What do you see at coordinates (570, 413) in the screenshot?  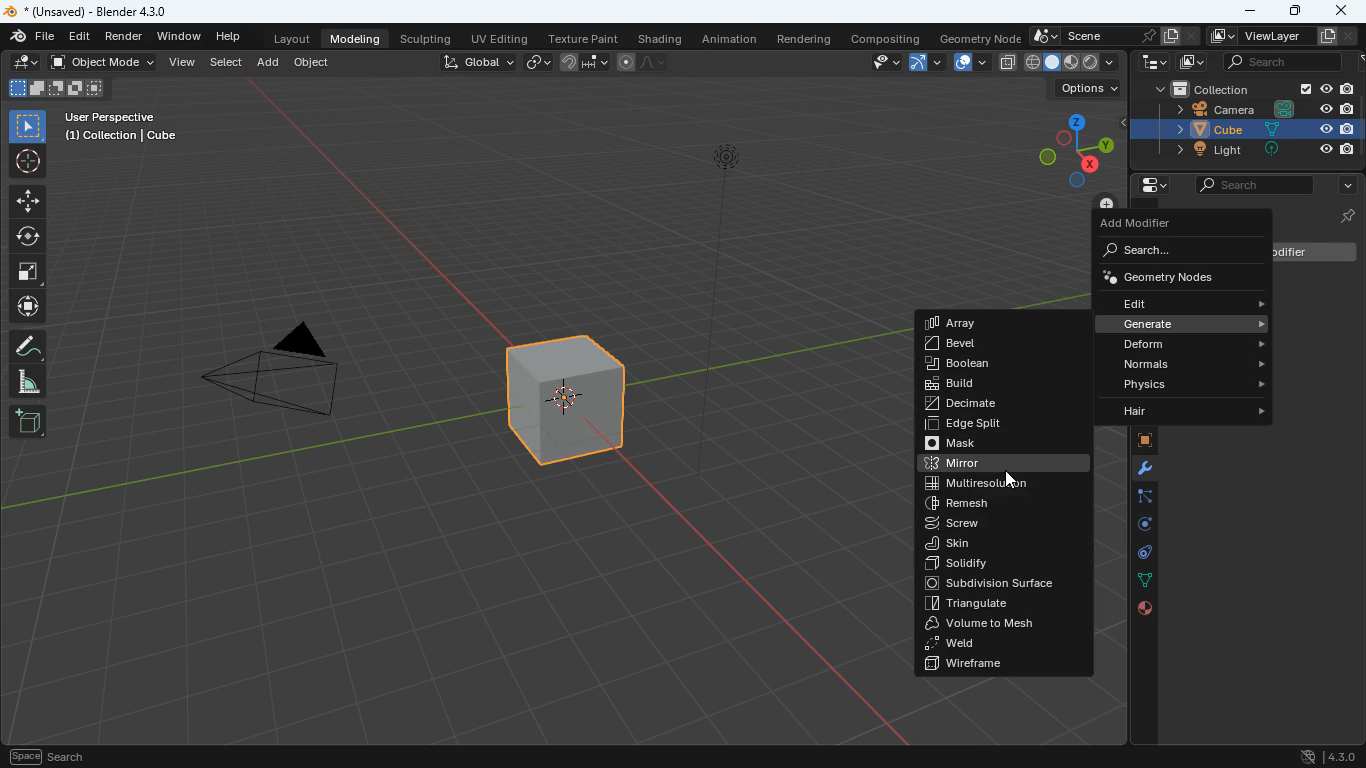 I see `cube` at bounding box center [570, 413].